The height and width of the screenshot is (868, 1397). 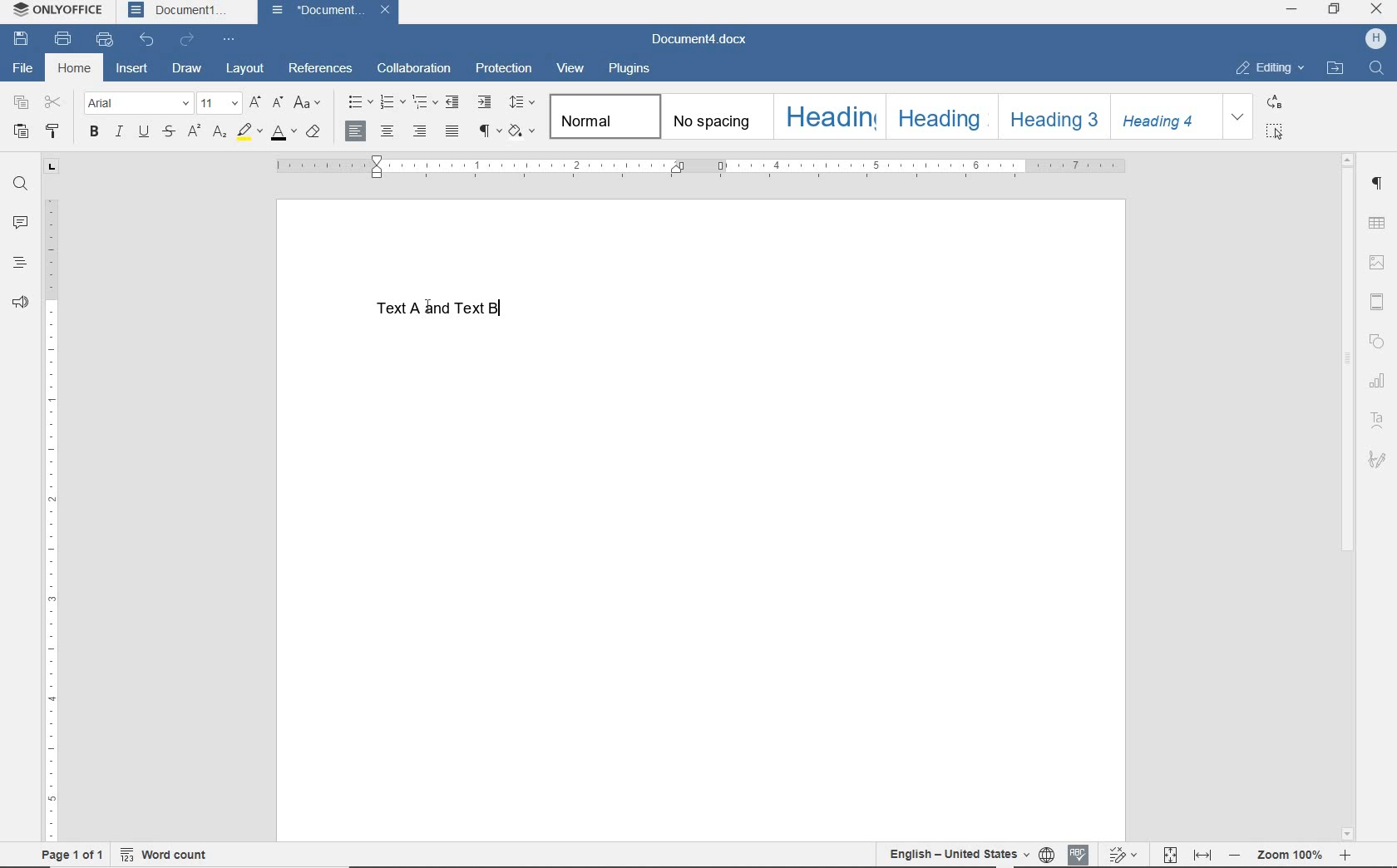 I want to click on FONT COLOR, so click(x=284, y=134).